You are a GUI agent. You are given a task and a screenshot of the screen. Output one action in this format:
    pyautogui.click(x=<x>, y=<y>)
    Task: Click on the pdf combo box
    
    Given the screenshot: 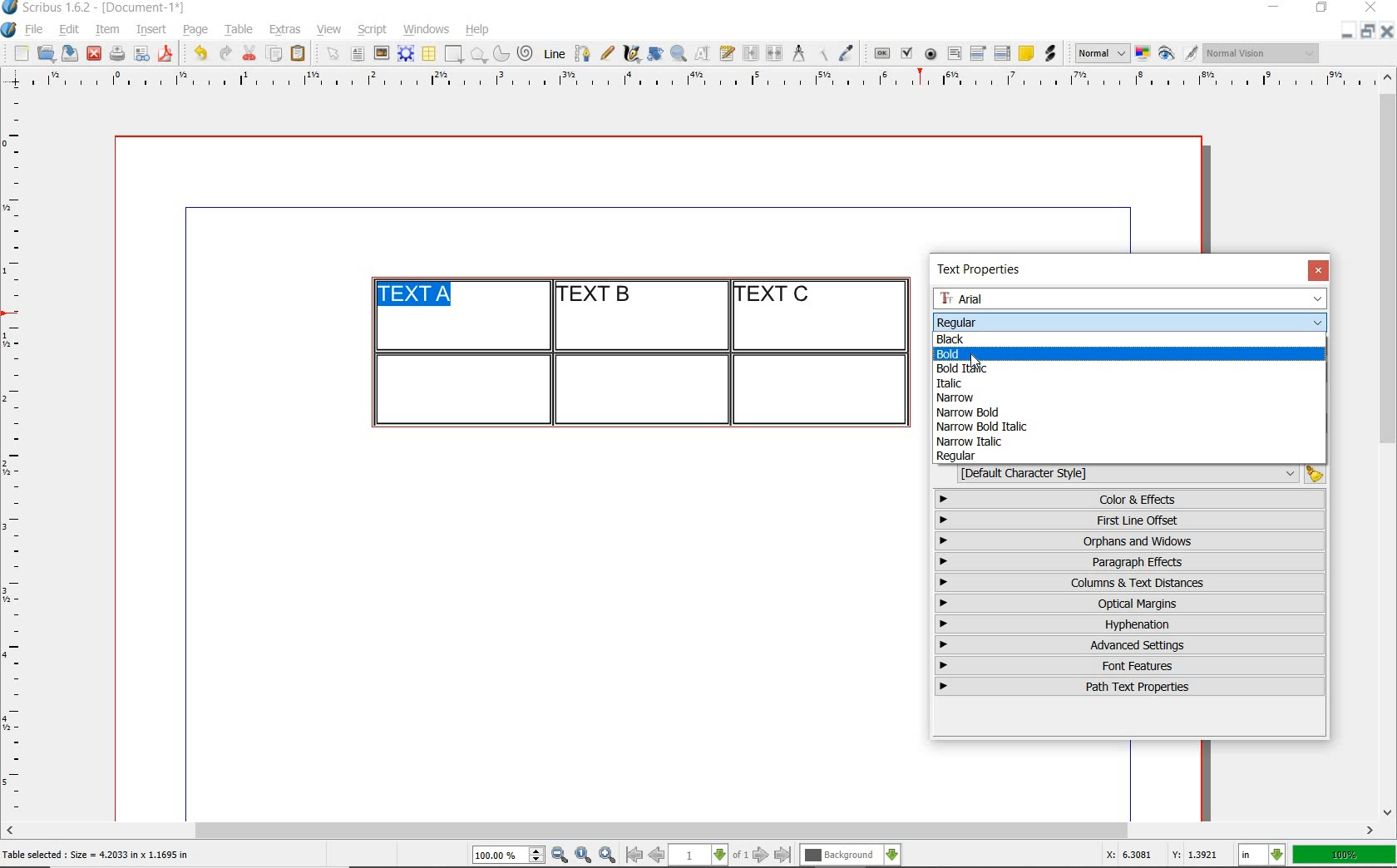 What is the action you would take?
    pyautogui.click(x=979, y=52)
    